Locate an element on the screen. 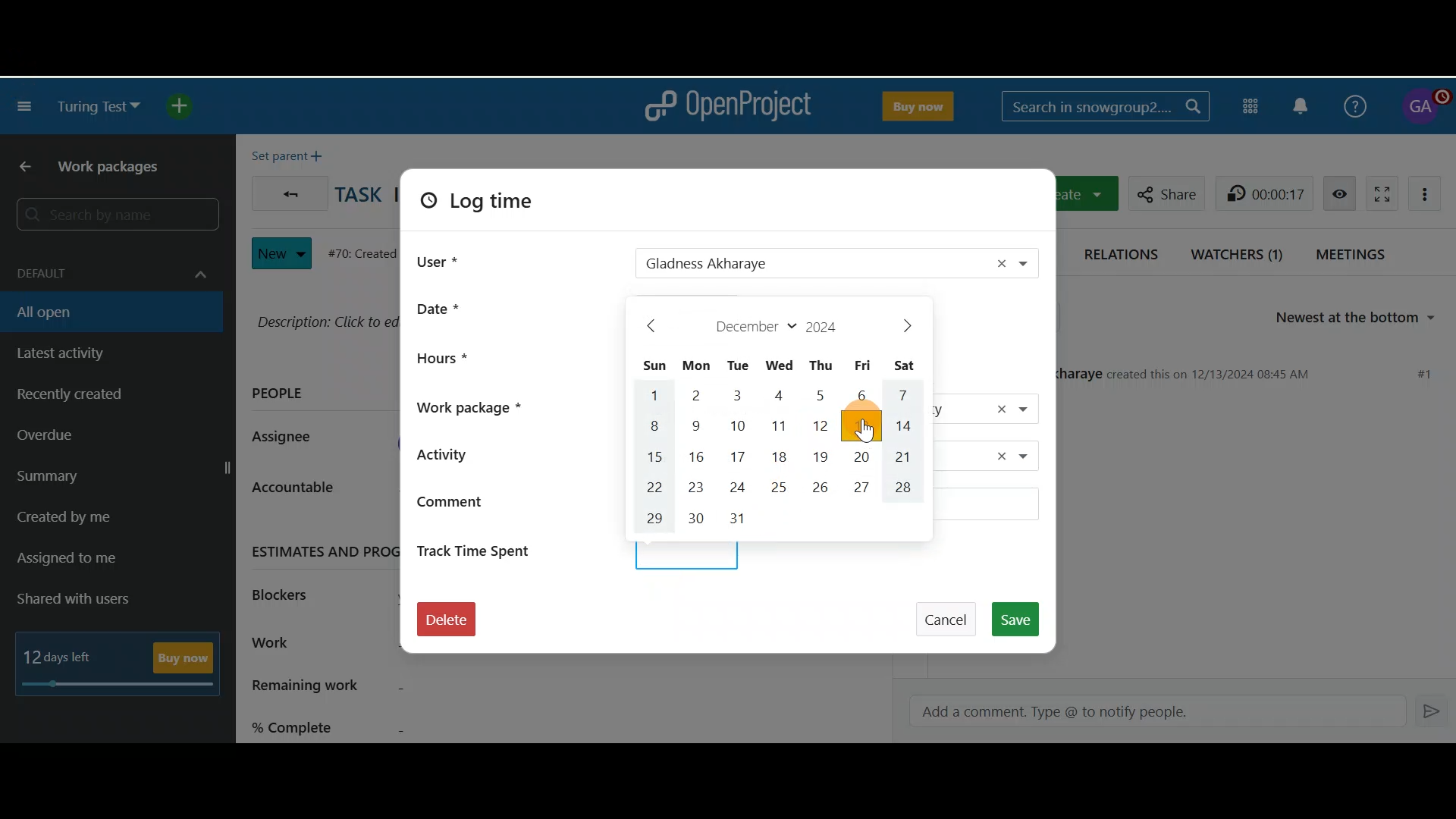  Notification centre is located at coordinates (1302, 105).